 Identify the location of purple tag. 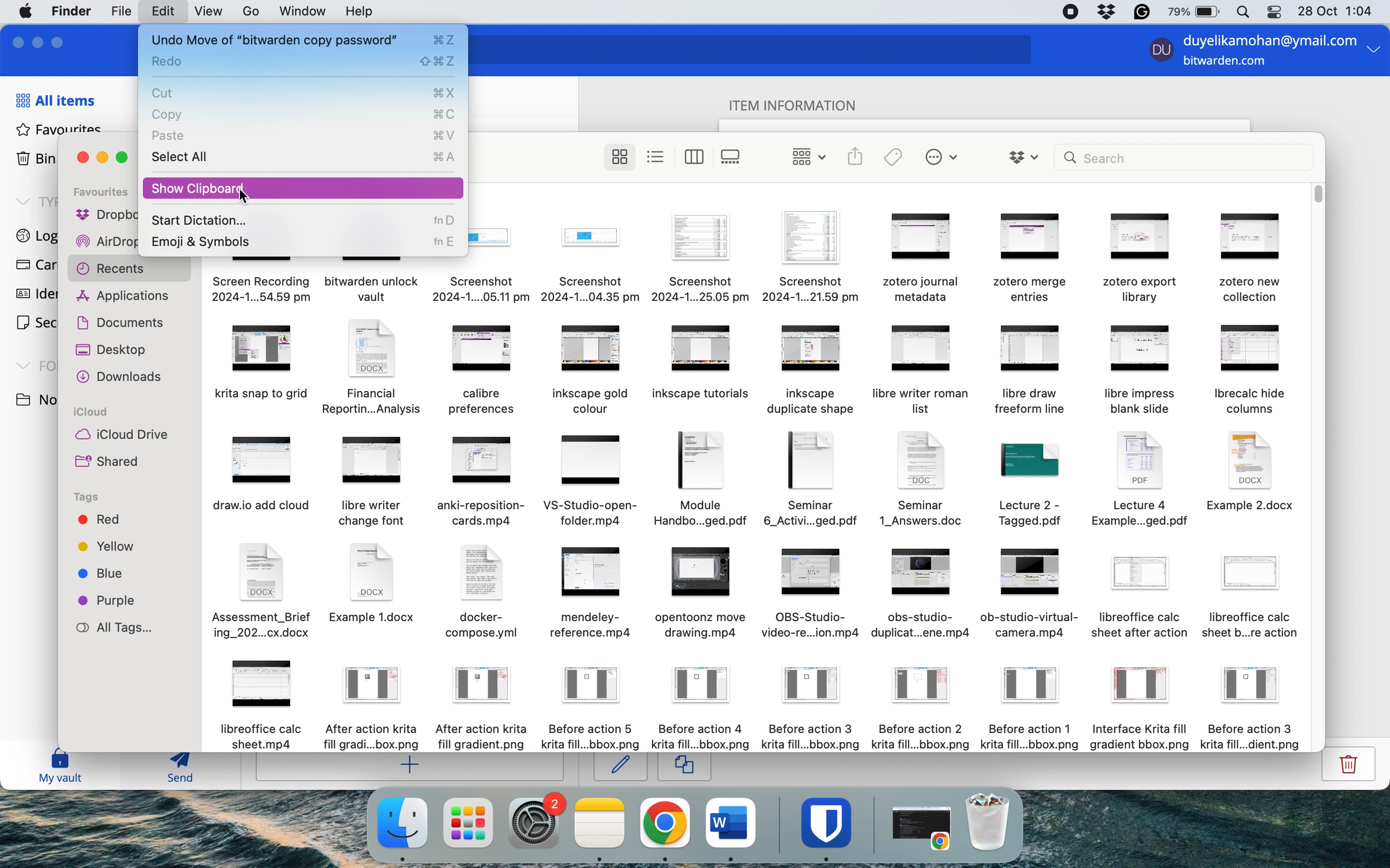
(110, 600).